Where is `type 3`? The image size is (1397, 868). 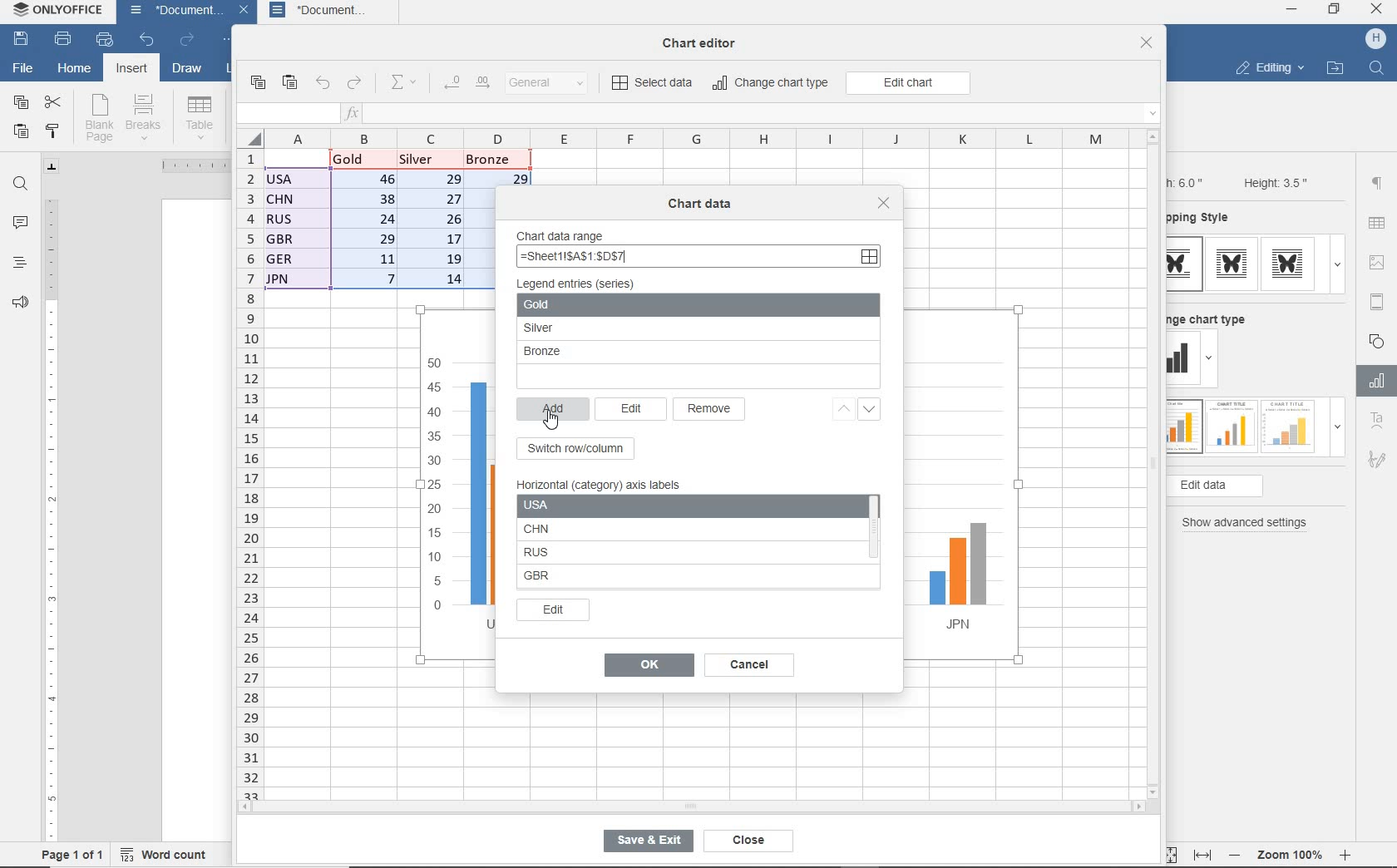 type 3 is located at coordinates (1289, 425).